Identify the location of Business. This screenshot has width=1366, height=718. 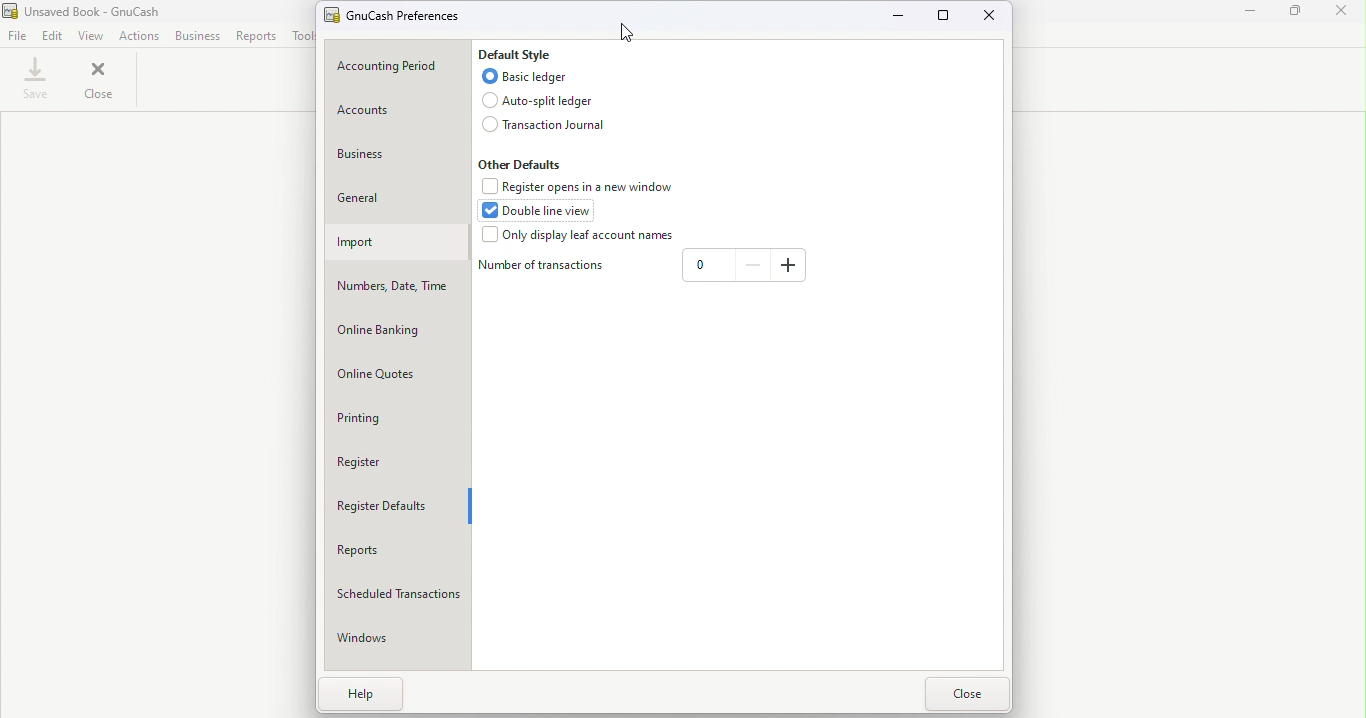
(196, 38).